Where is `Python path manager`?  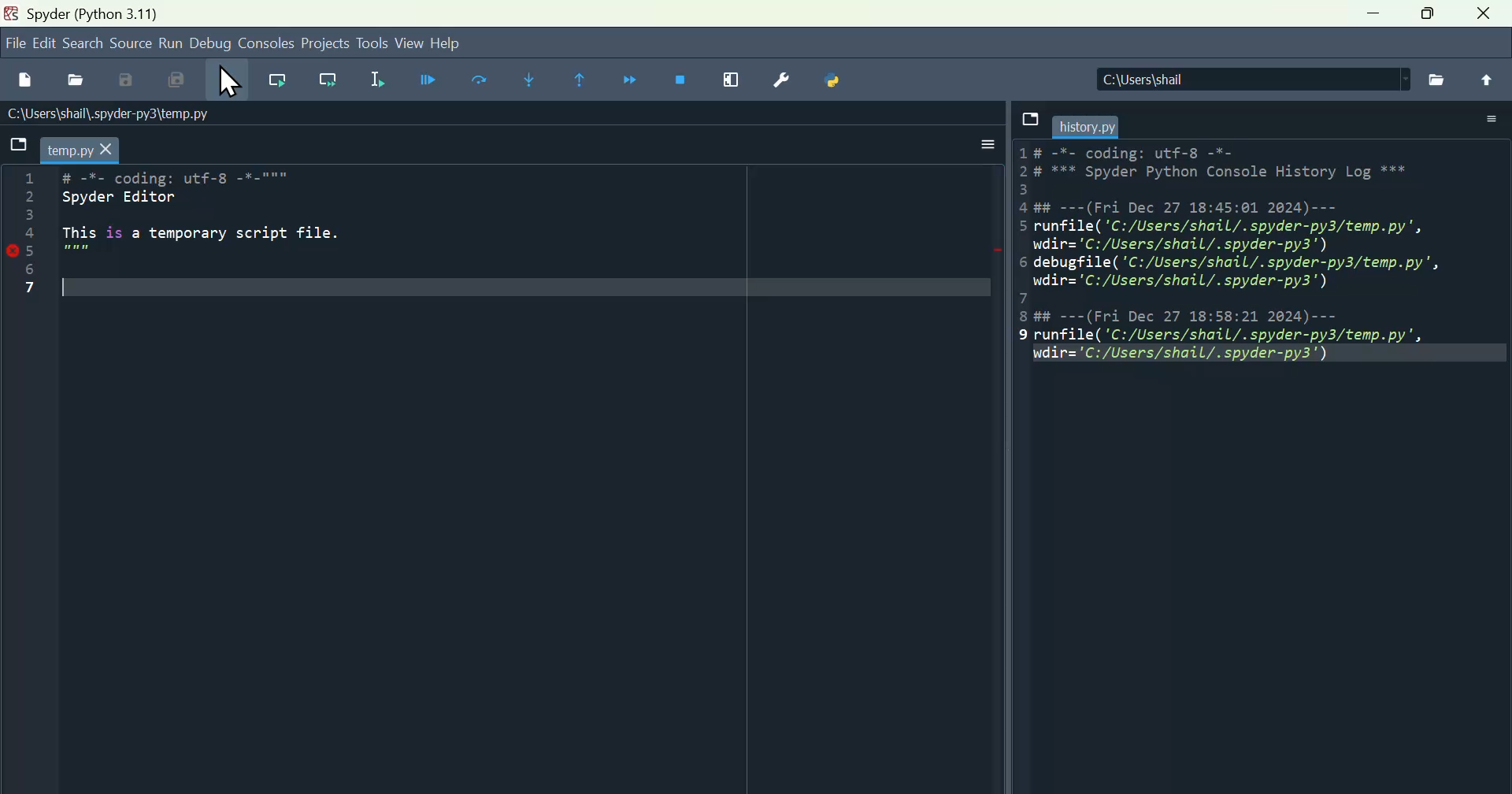
Python path manager is located at coordinates (837, 80).